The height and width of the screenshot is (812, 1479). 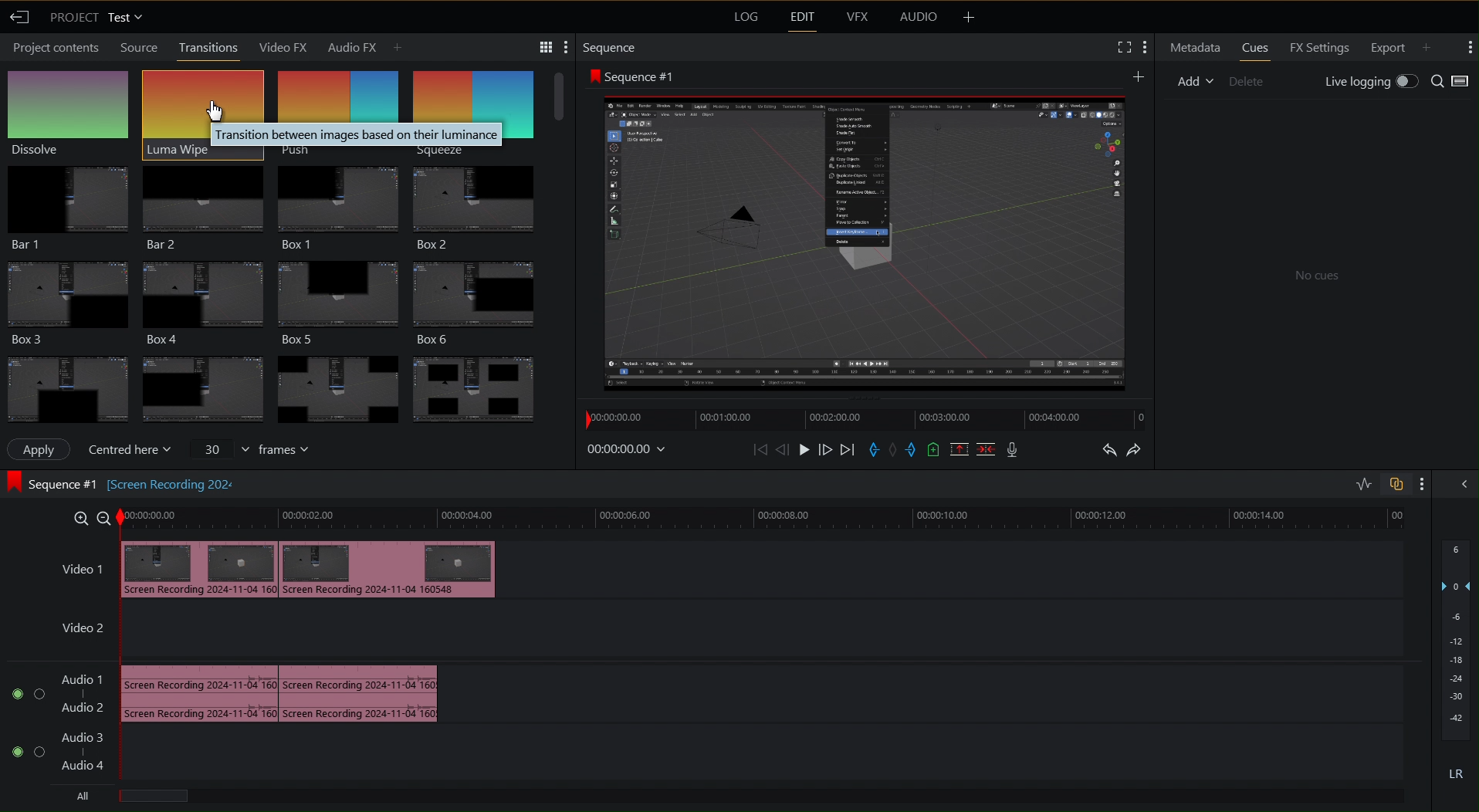 What do you see at coordinates (485, 297) in the screenshot?
I see `Box 6` at bounding box center [485, 297].